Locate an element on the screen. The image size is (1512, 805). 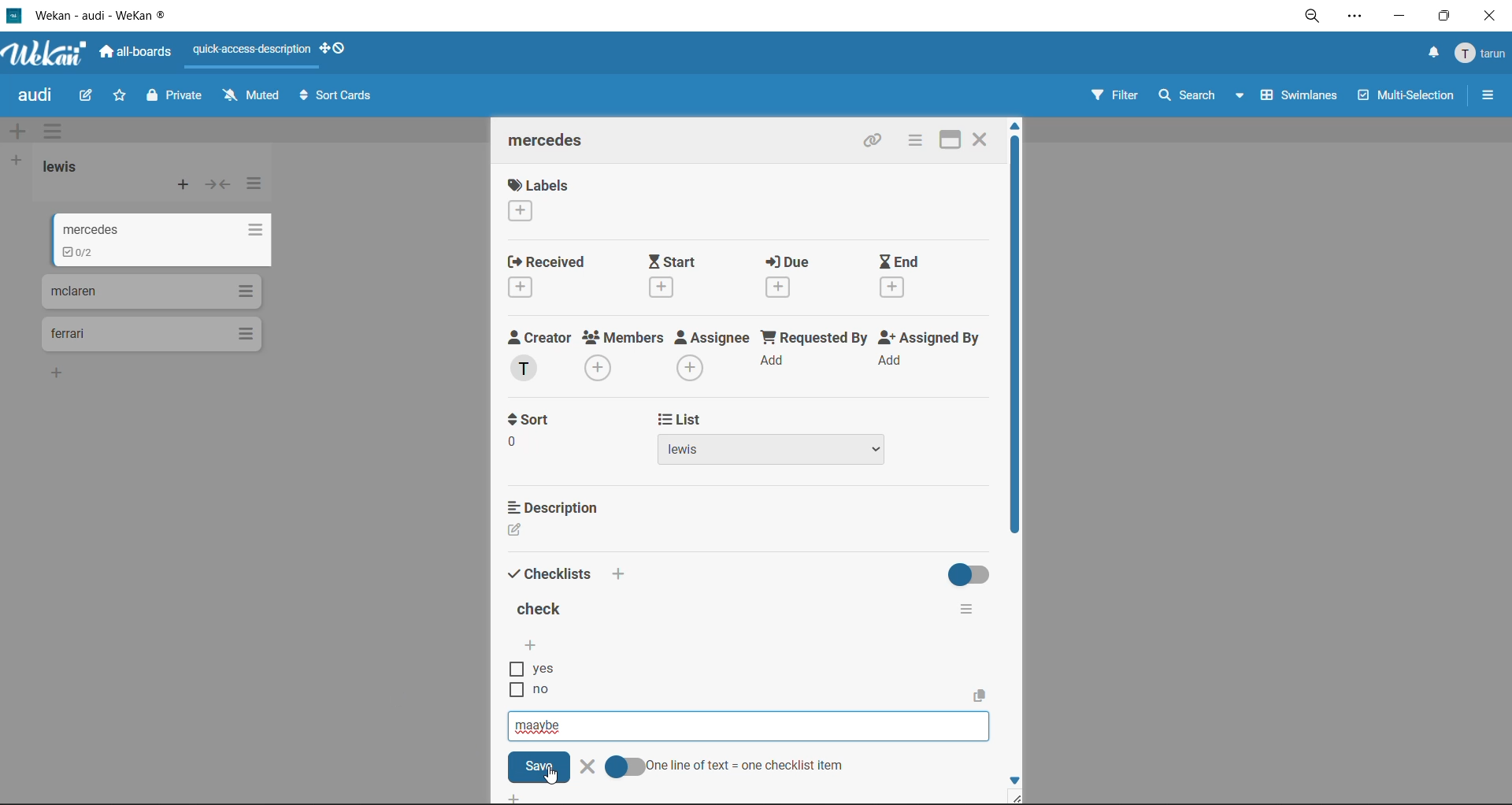
maximize is located at coordinates (947, 142).